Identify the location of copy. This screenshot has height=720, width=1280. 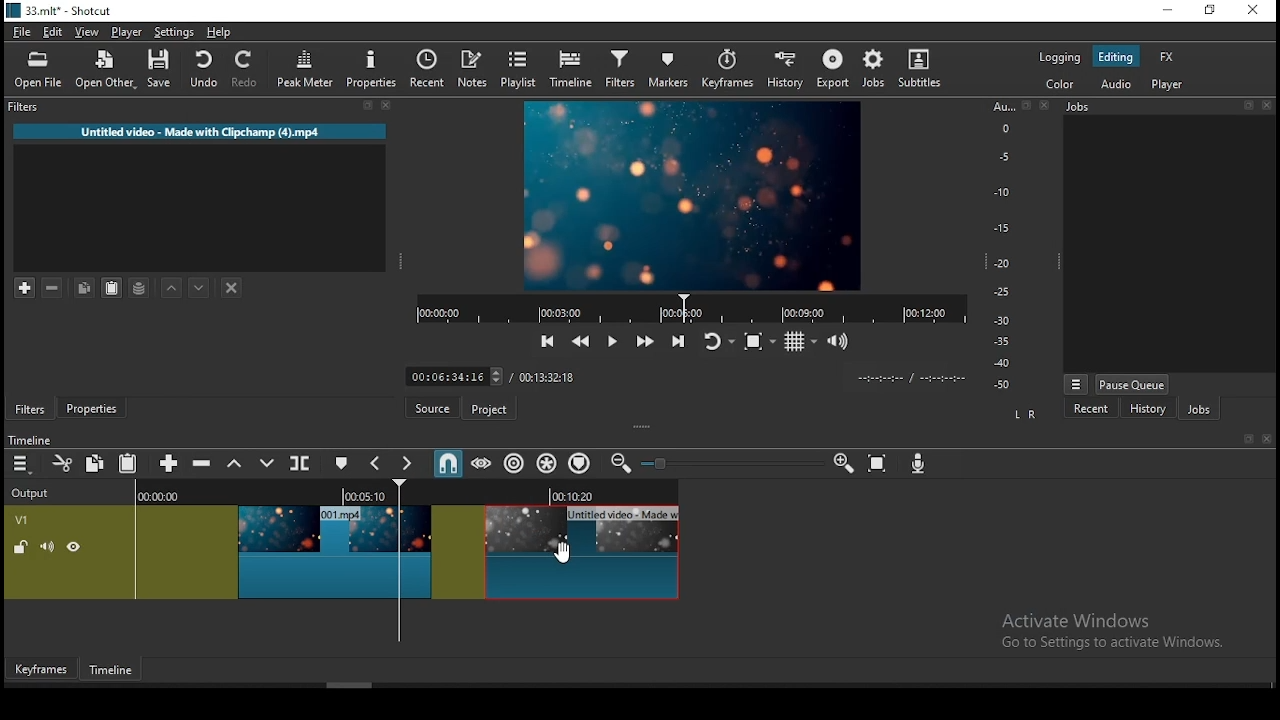
(98, 463).